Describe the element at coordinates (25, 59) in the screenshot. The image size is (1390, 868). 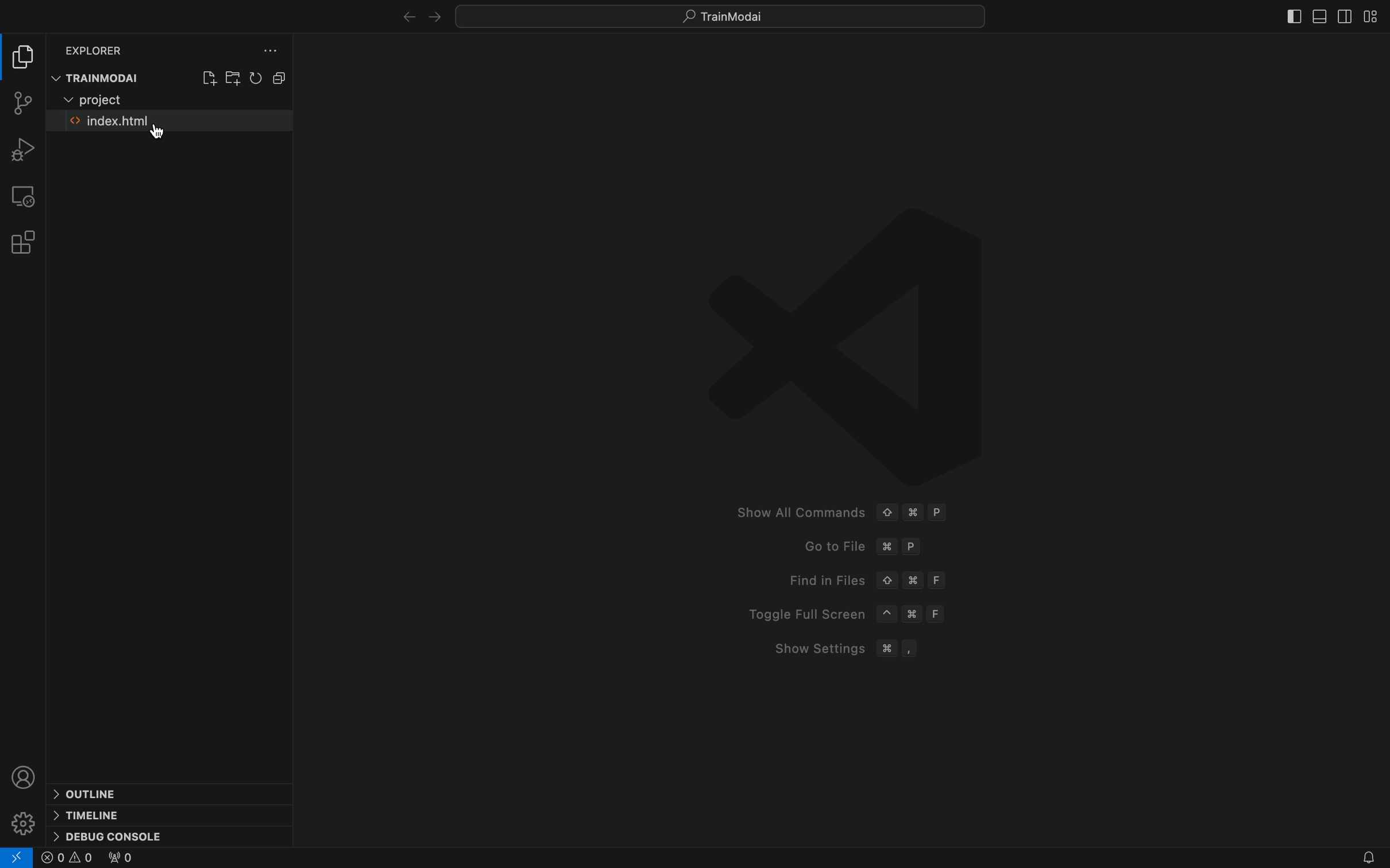
I see `file explore` at that location.